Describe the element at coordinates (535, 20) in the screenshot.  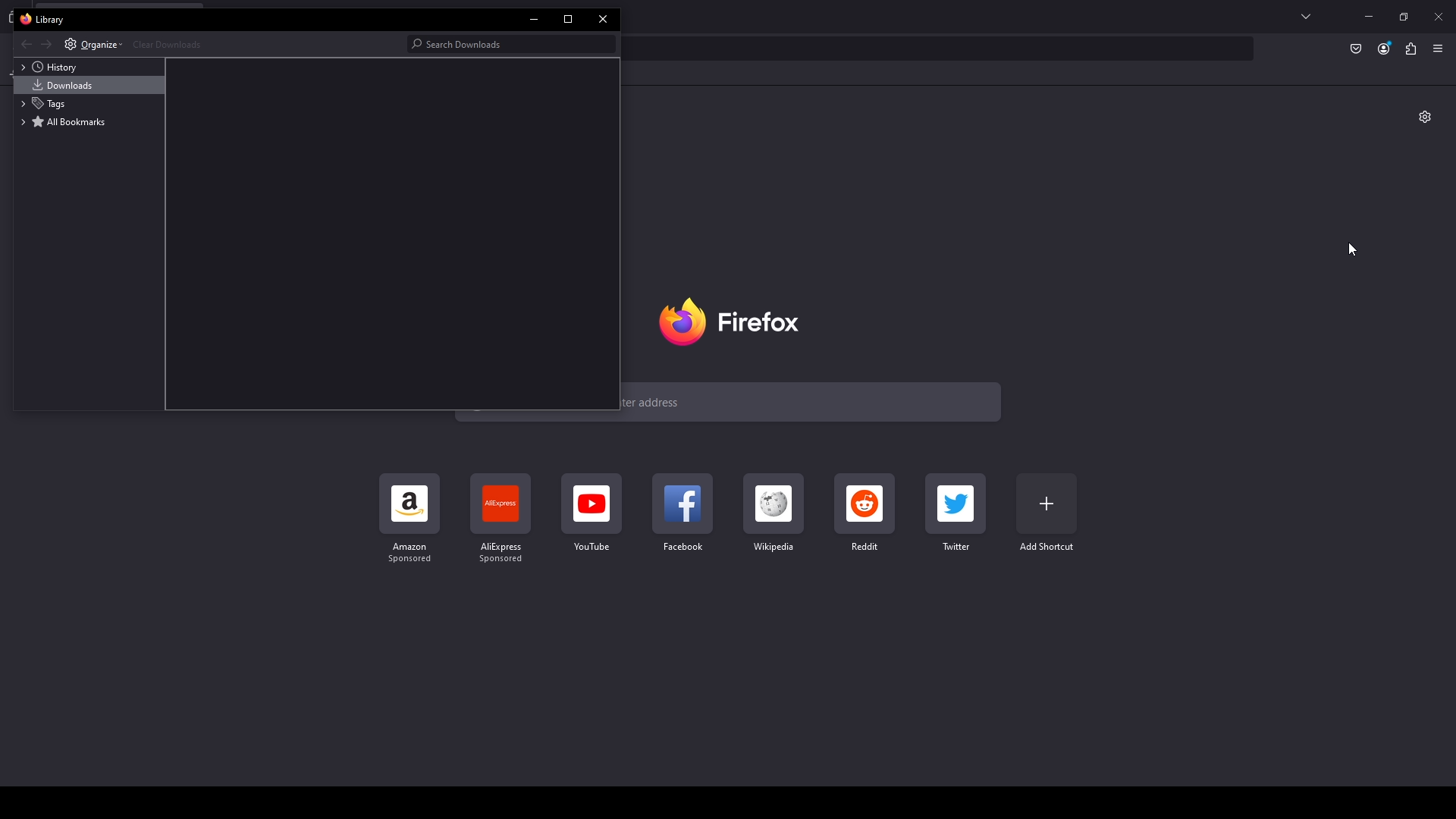
I see `Minimize library` at that location.